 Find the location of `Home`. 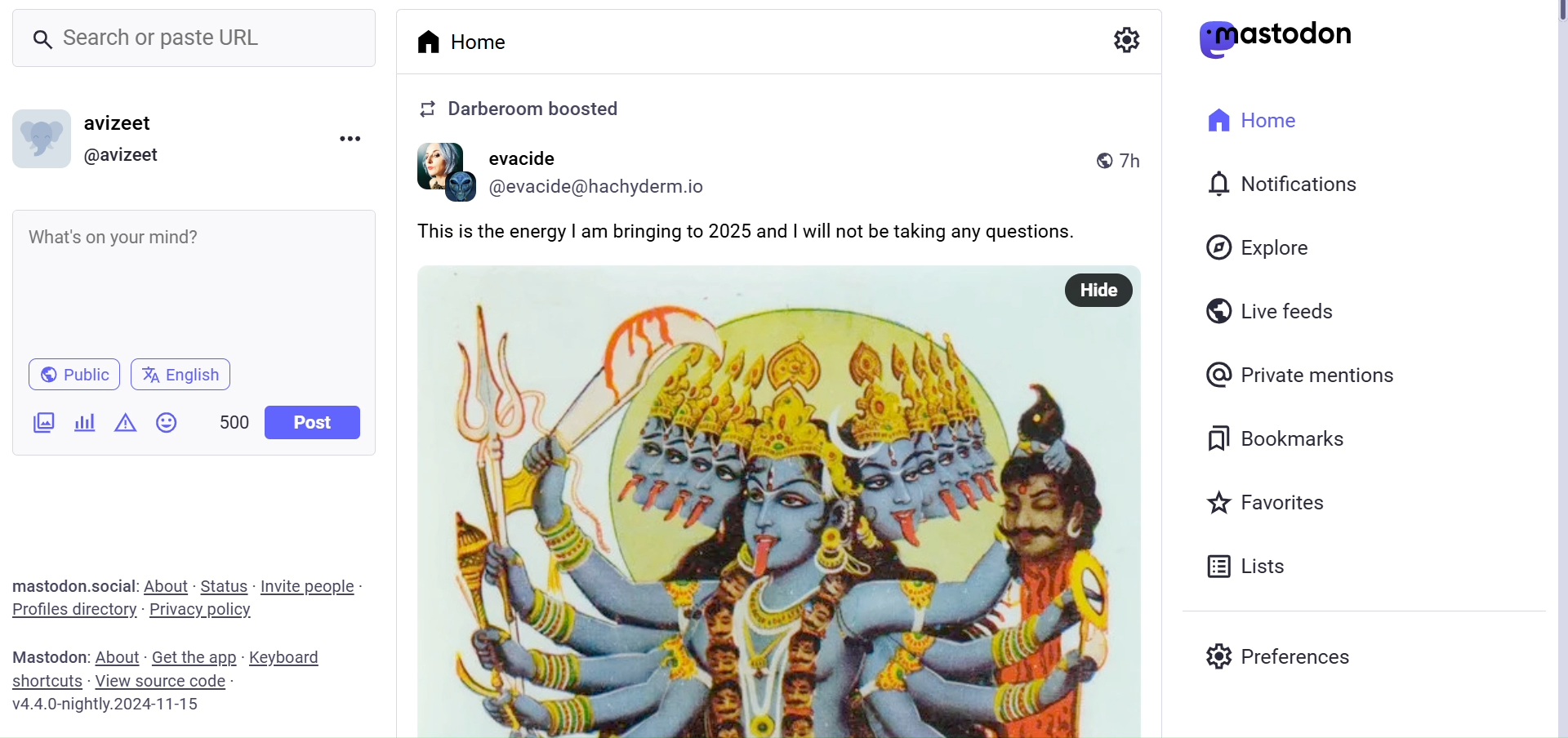

Home is located at coordinates (466, 42).